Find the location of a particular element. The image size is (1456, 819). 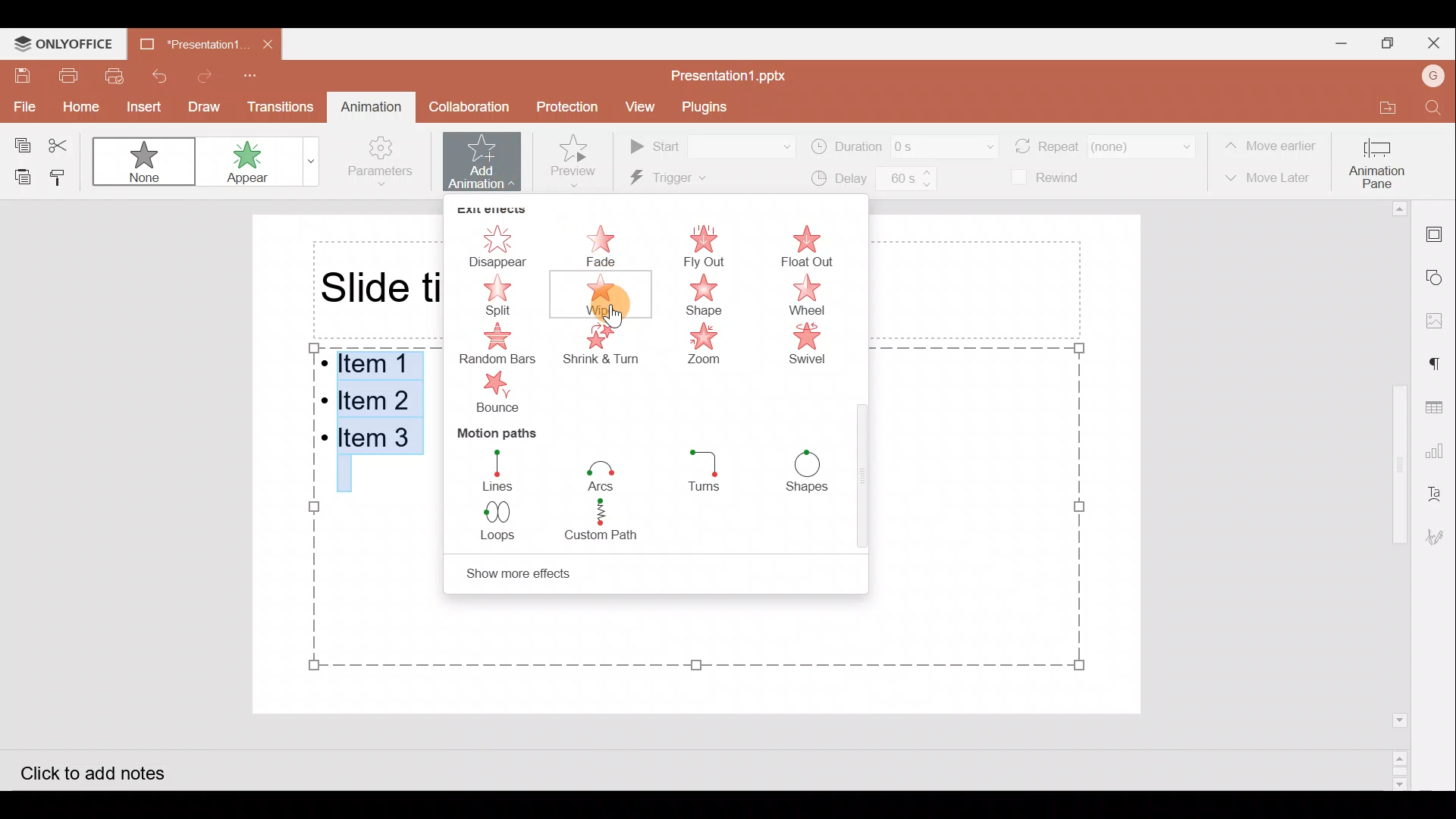

Rewind is located at coordinates (1050, 178).